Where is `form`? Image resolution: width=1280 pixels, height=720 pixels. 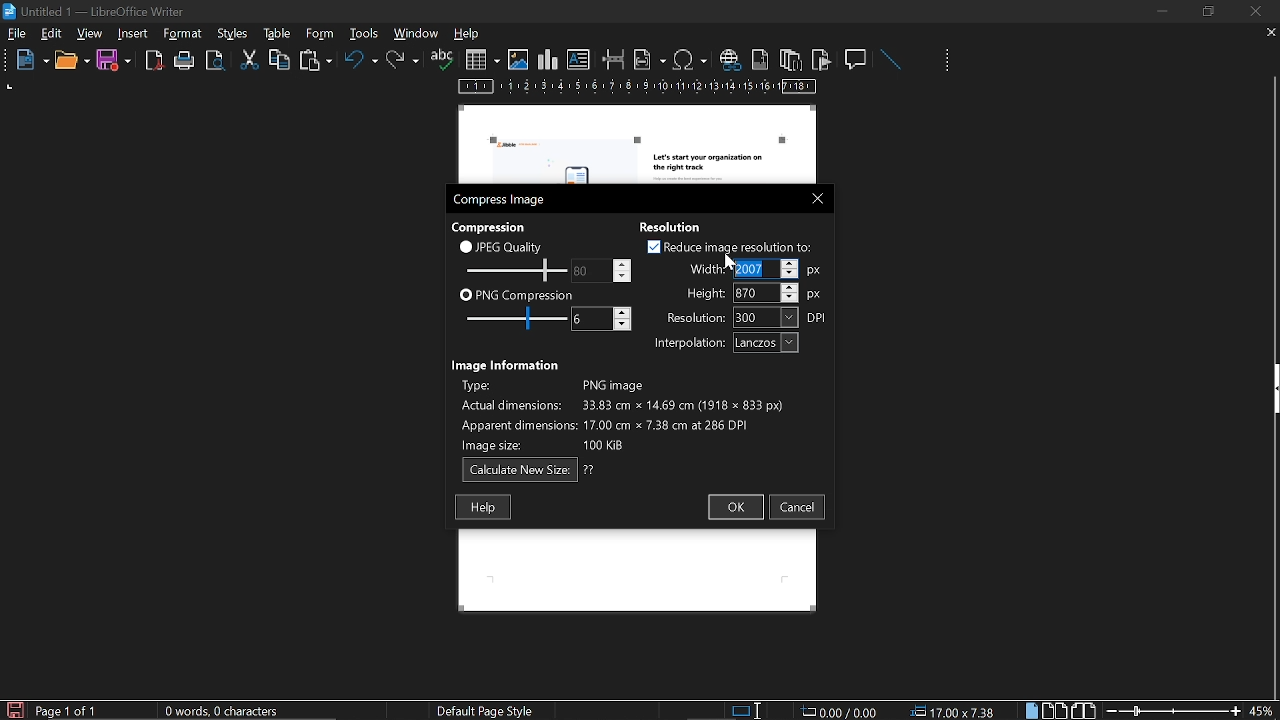 form is located at coordinates (366, 33).